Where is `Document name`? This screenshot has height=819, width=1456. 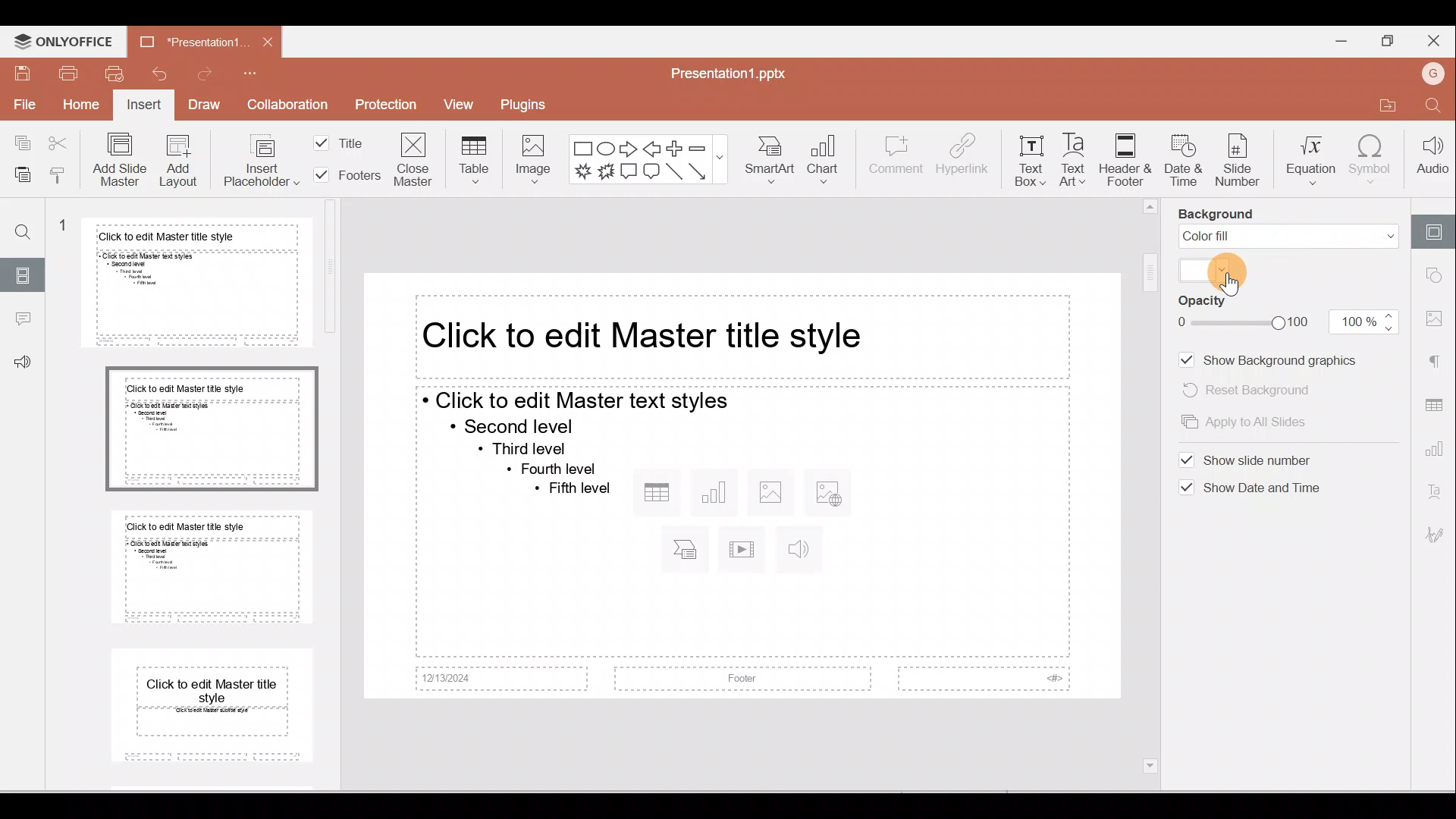
Document name is located at coordinates (729, 70).